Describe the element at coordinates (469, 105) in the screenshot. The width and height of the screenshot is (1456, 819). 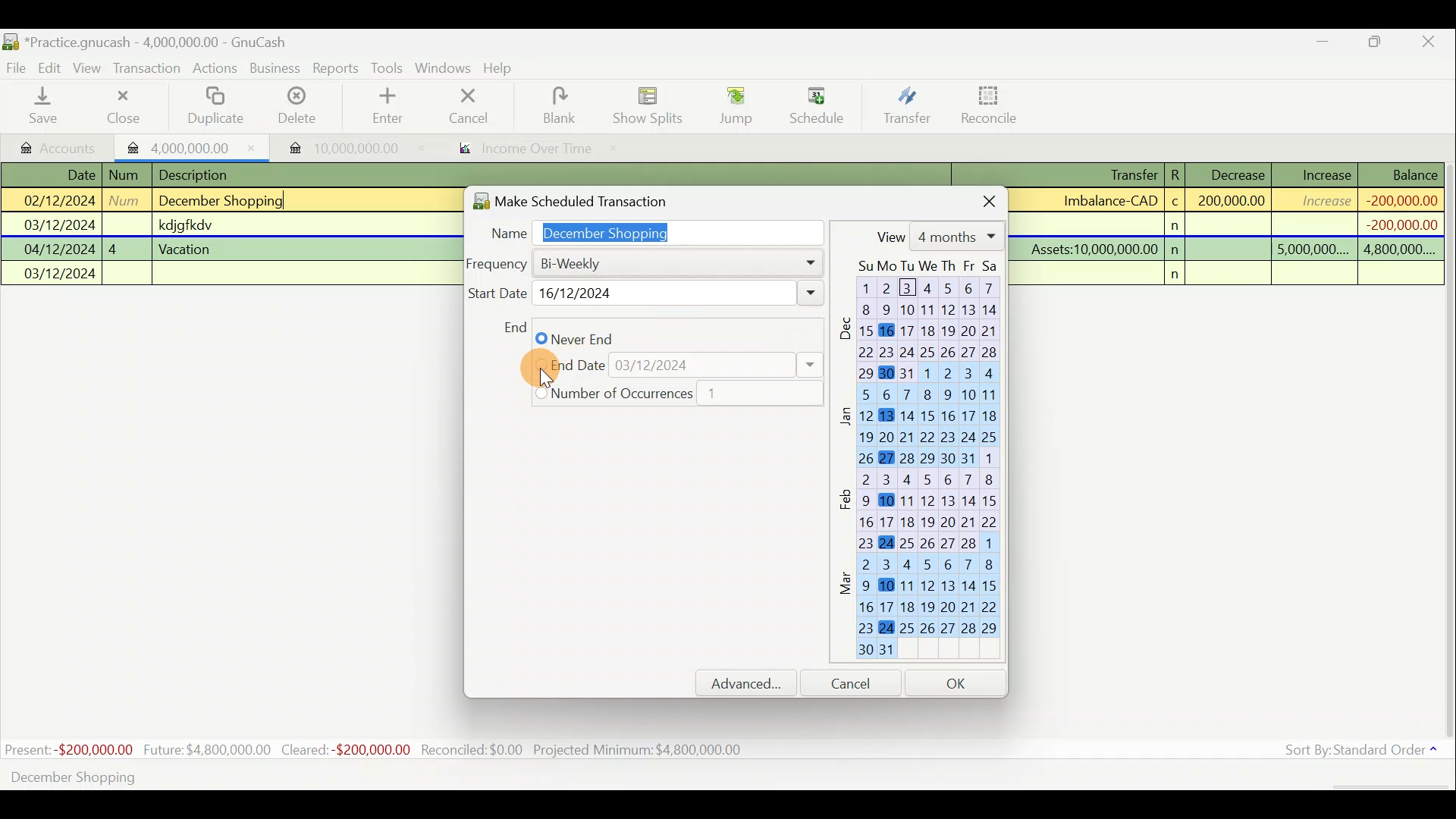
I see `Cancel` at that location.